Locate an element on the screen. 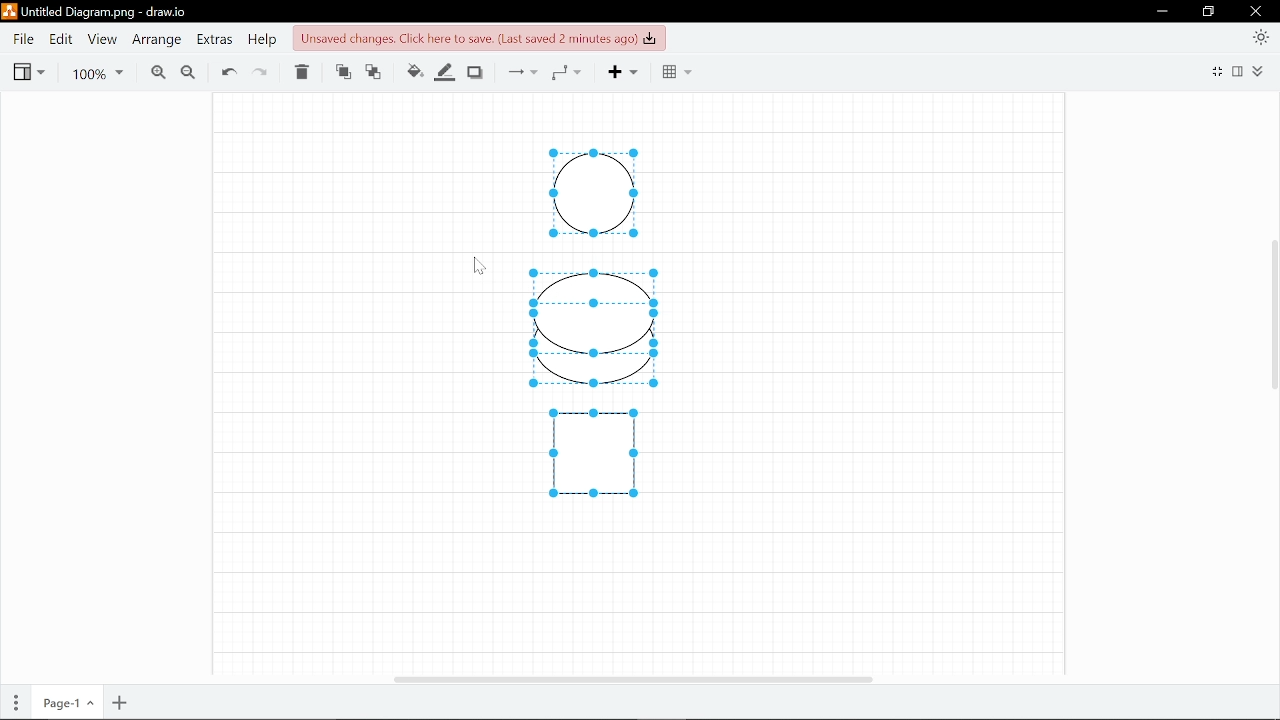 The height and width of the screenshot is (720, 1280). Zoom out is located at coordinates (187, 71).